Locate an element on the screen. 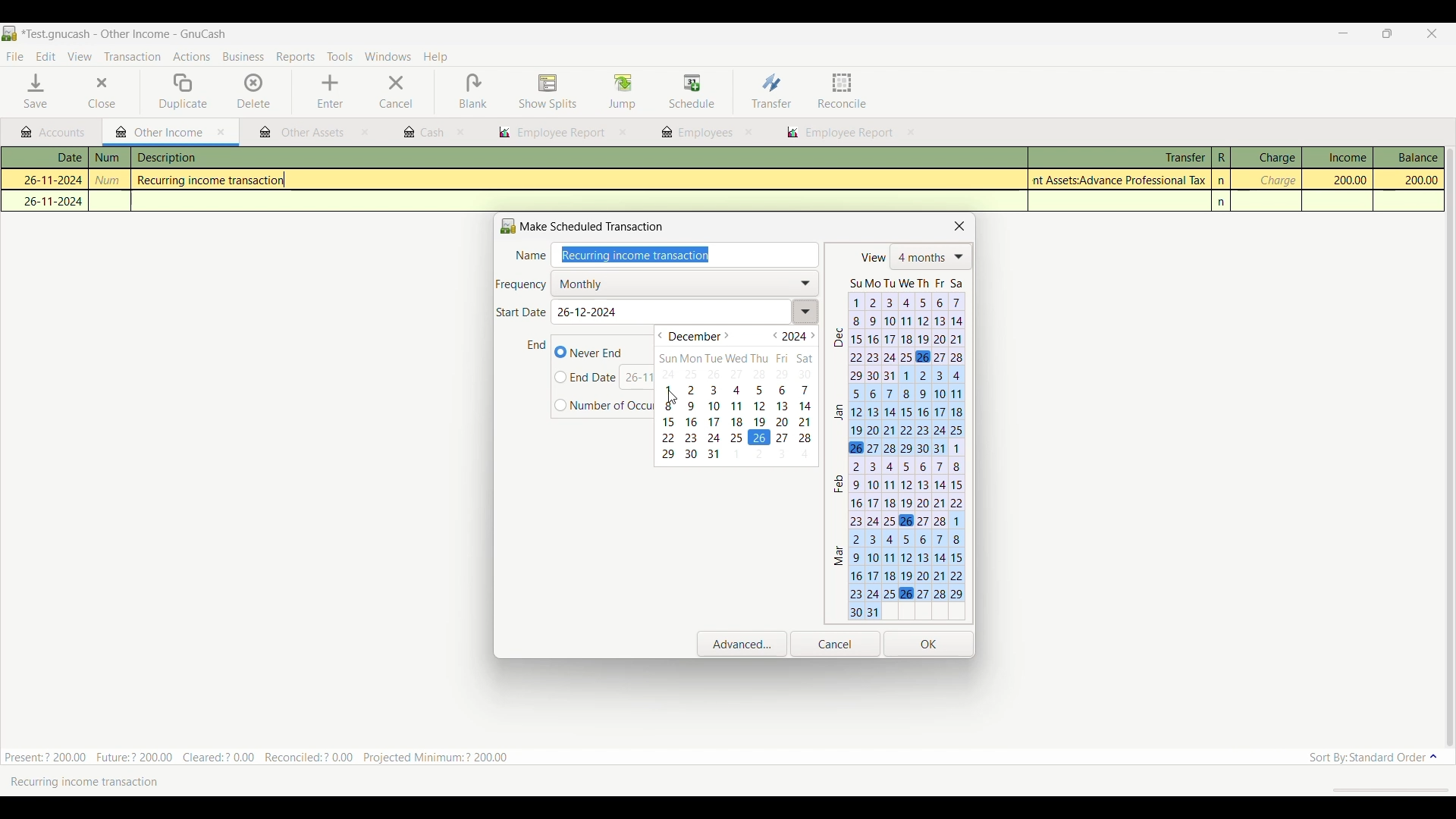 This screenshot has height=819, width=1456. Make Scheduled Transaction is located at coordinates (586, 226).